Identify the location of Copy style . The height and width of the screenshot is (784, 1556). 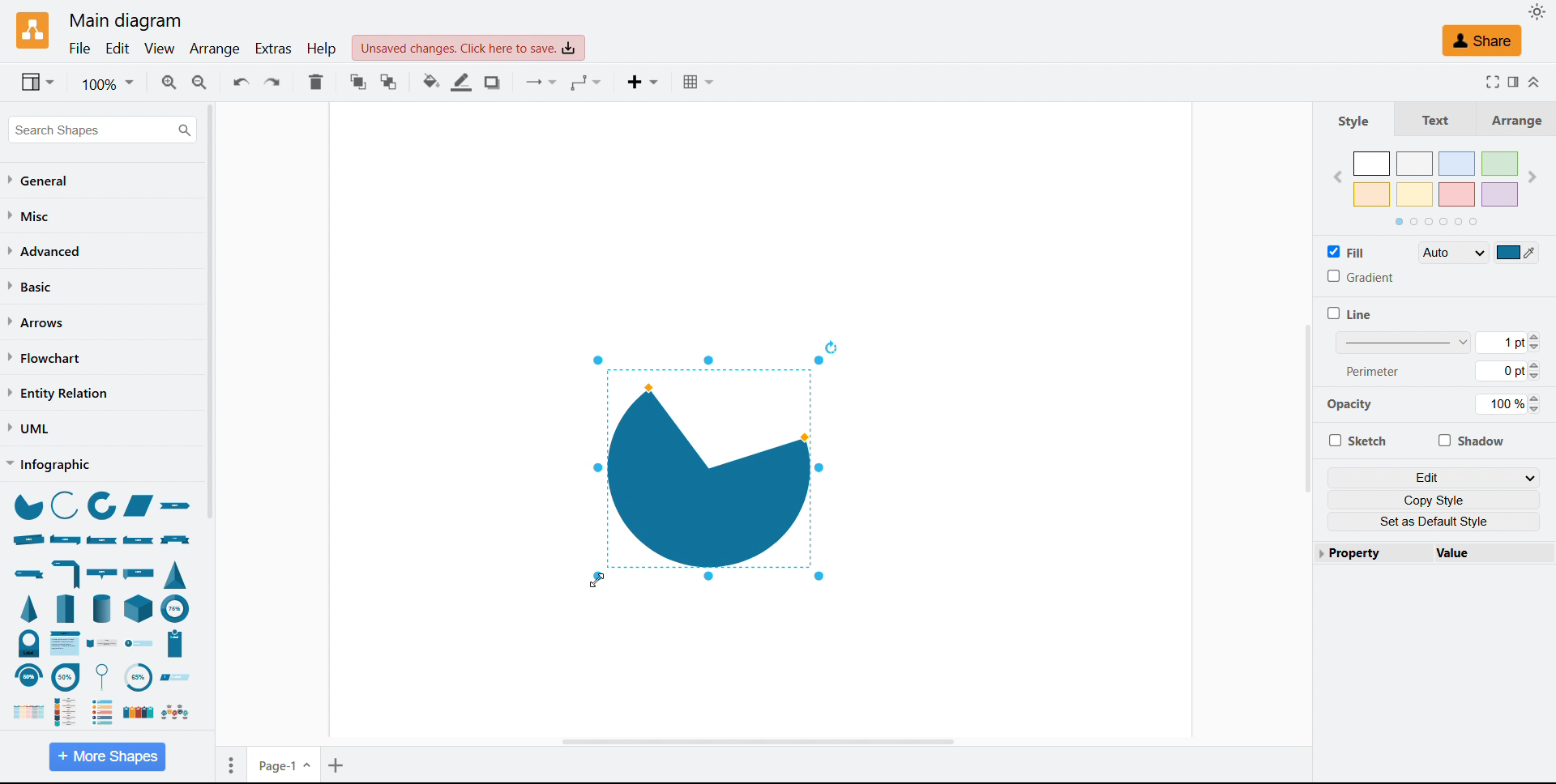
(1434, 500).